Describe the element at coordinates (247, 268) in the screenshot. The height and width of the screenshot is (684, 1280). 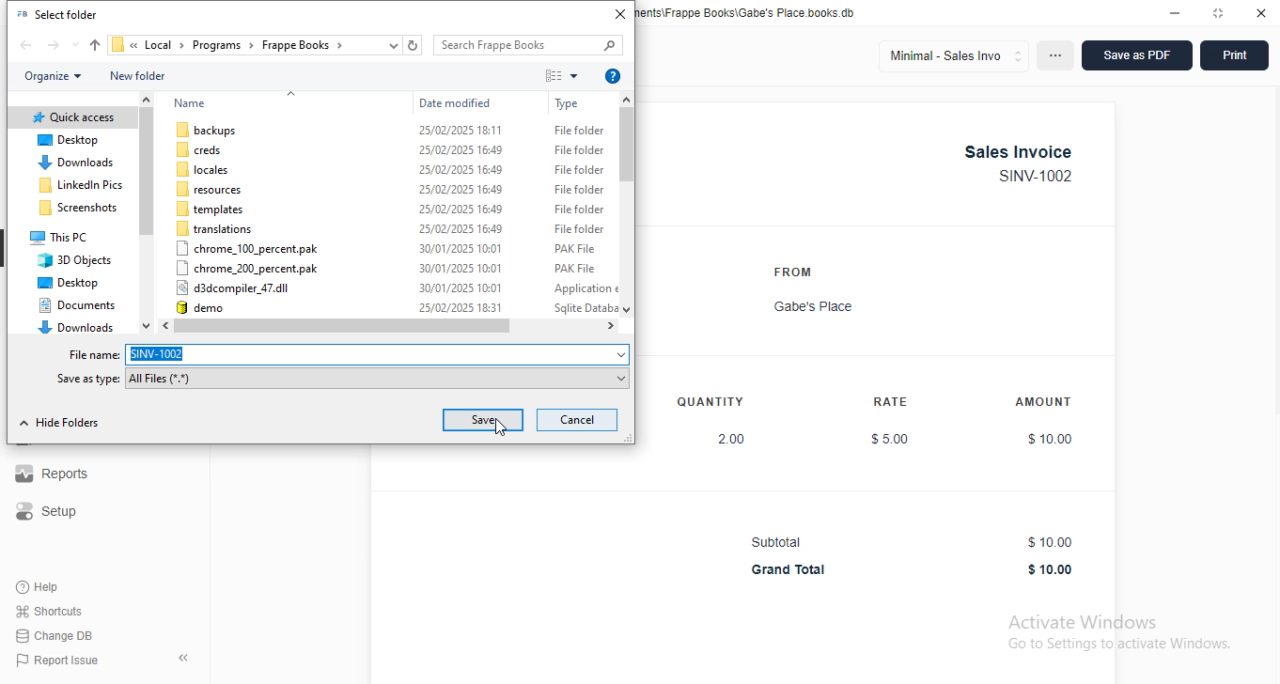
I see `chrome_200_percent.pak` at that location.